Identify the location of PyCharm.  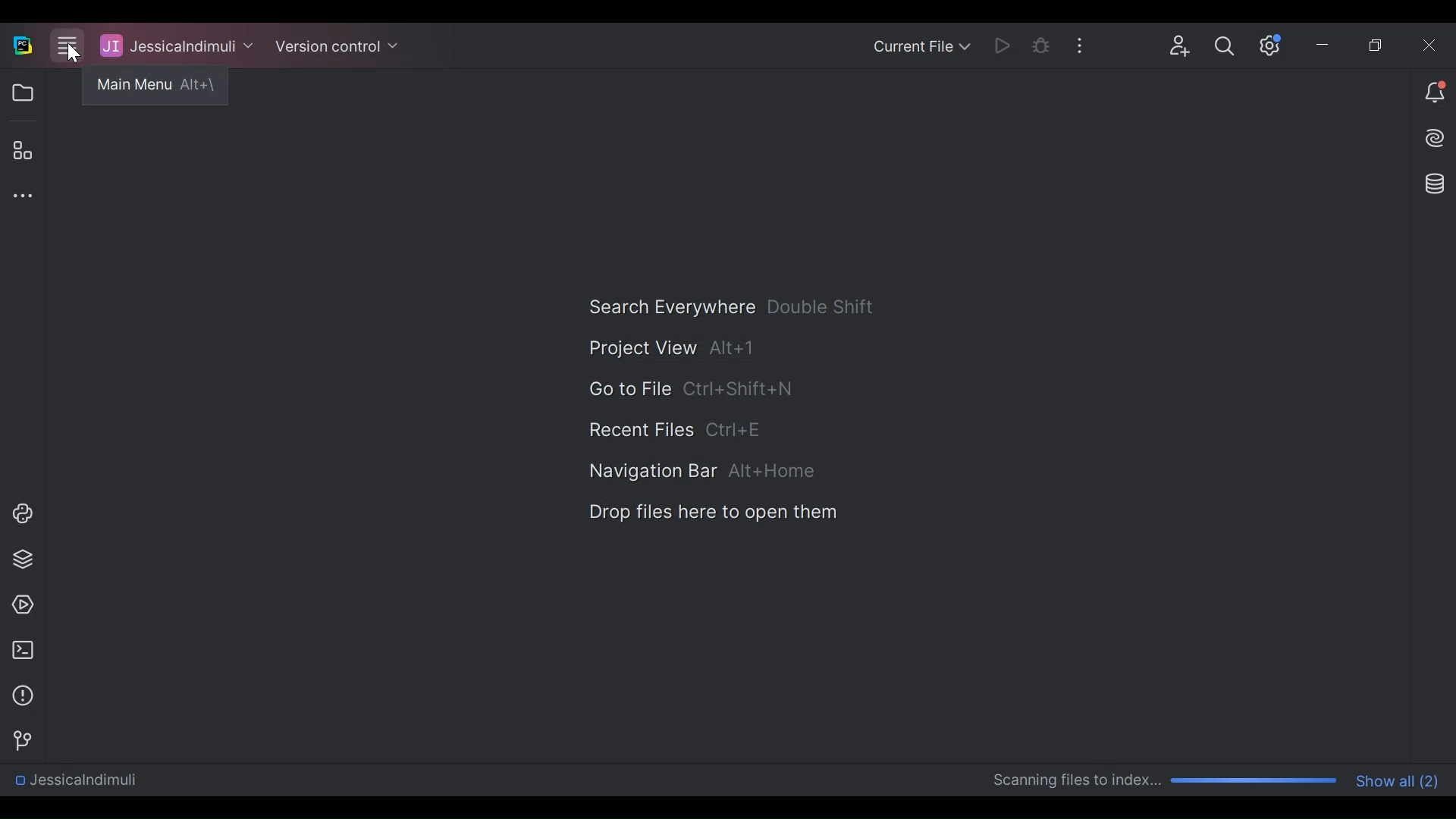
(22, 45).